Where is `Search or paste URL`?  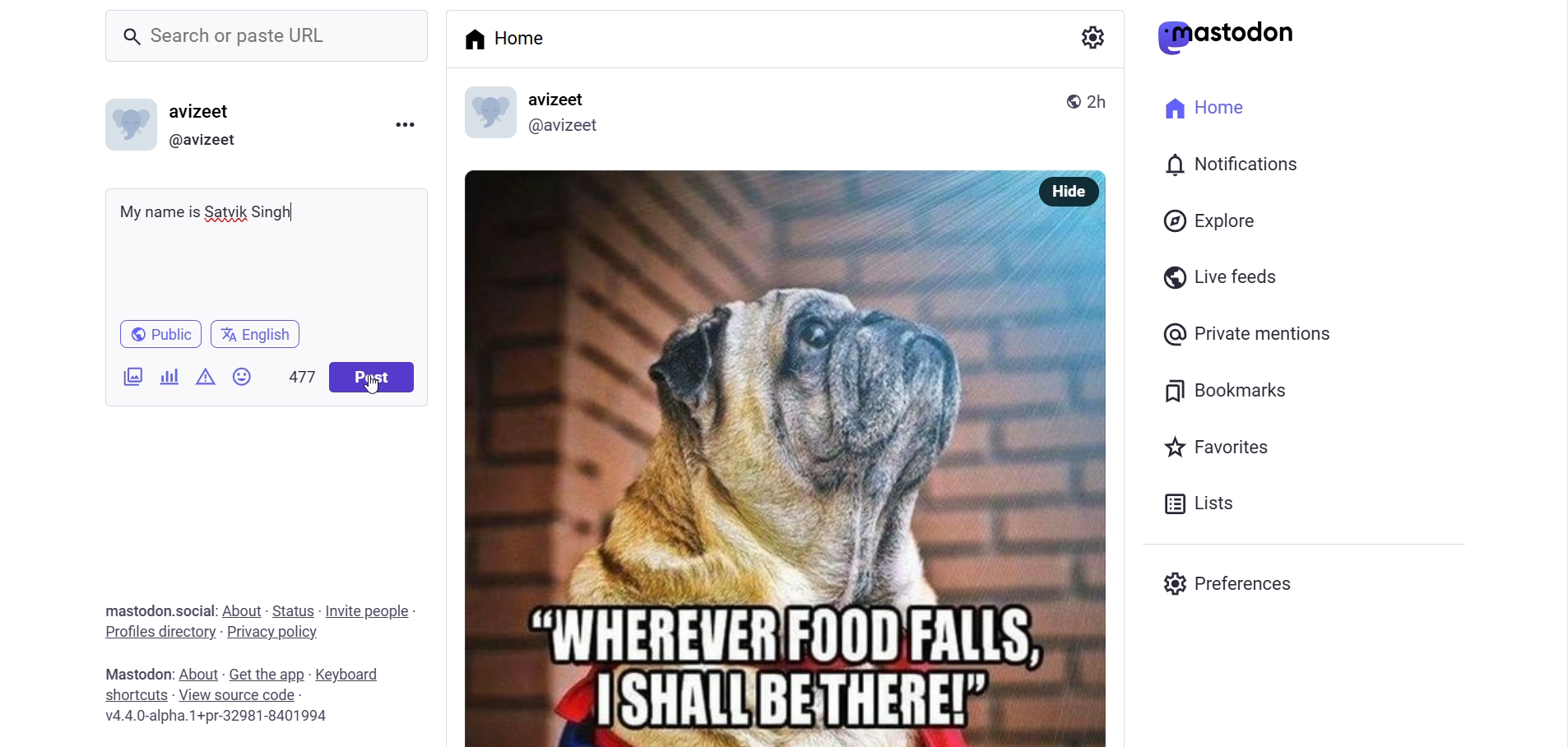
Search or paste URL is located at coordinates (234, 39).